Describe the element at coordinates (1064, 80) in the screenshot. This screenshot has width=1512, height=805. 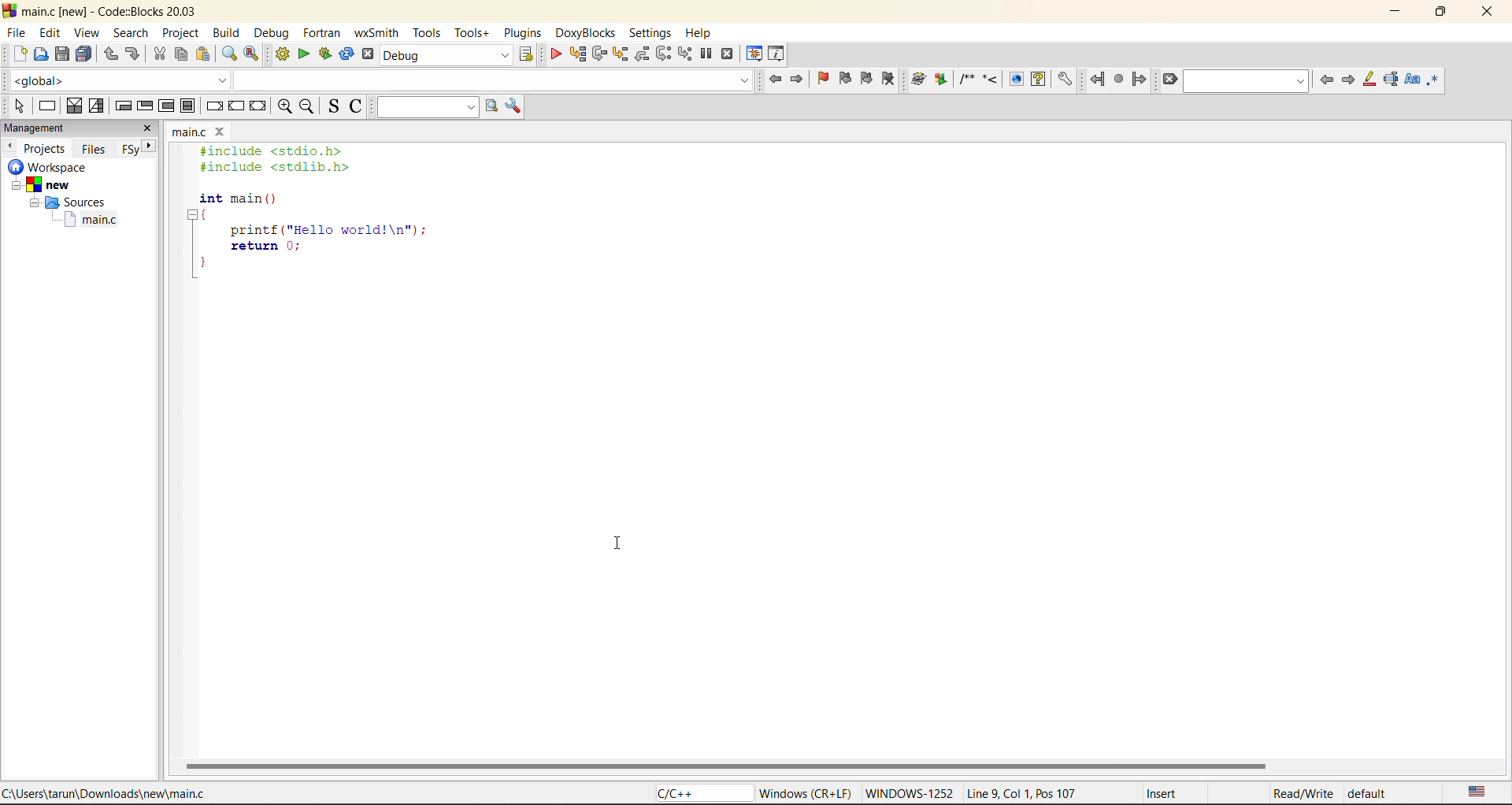
I see `Open DoxyBlocks' preferences` at that location.